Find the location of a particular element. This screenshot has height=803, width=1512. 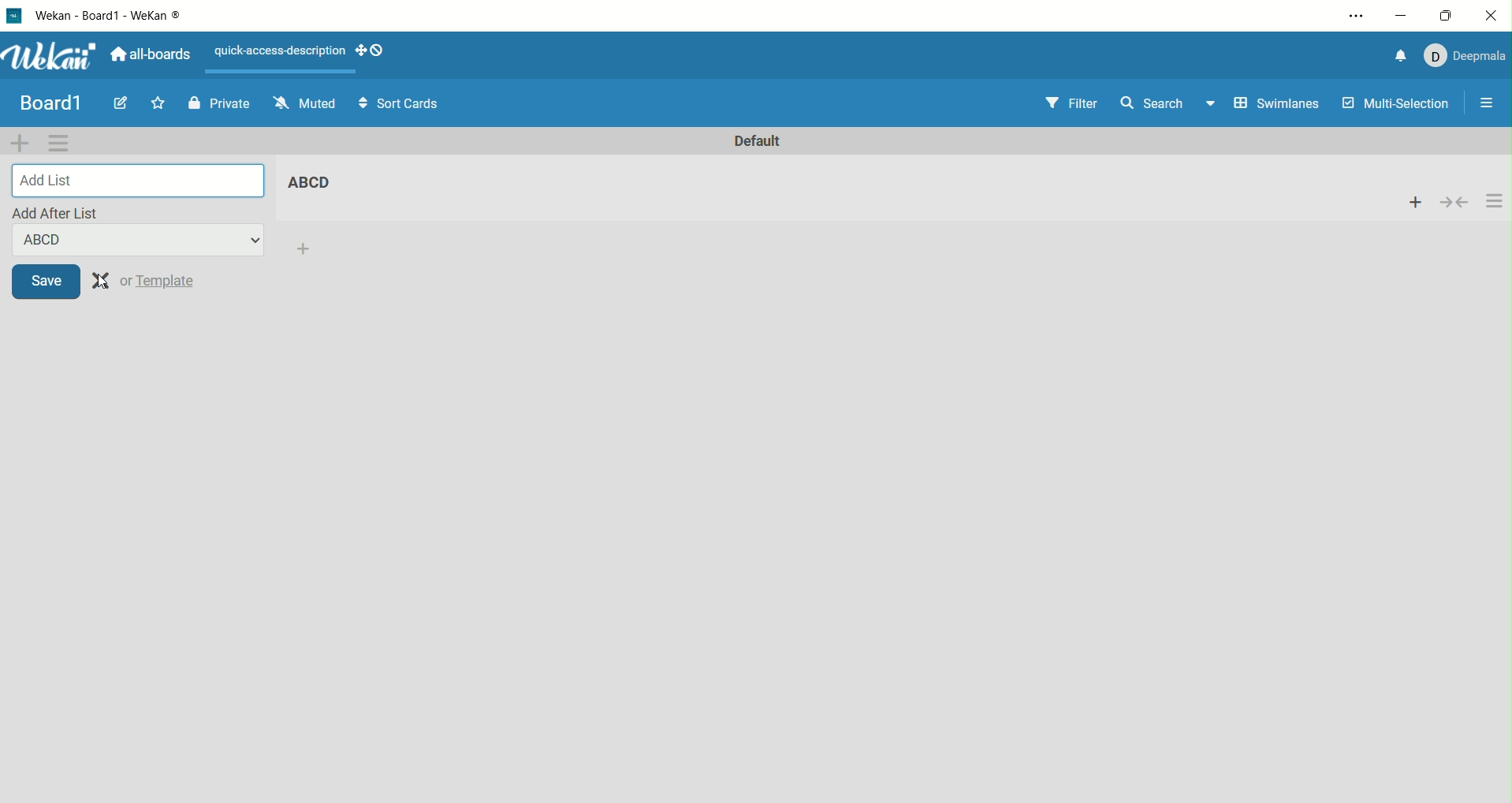

close is located at coordinates (1492, 14).